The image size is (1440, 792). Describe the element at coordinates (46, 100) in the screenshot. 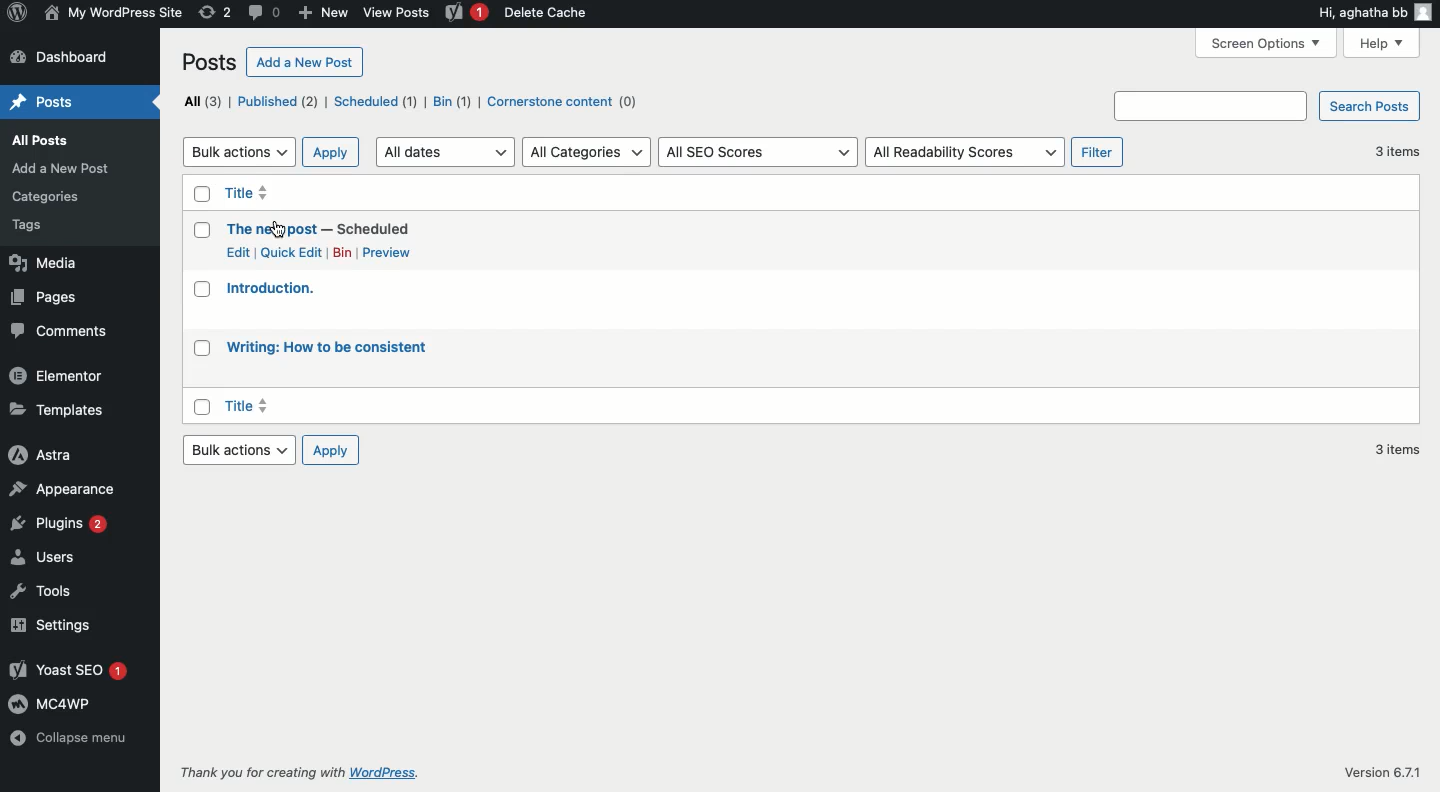

I see `Posts` at that location.